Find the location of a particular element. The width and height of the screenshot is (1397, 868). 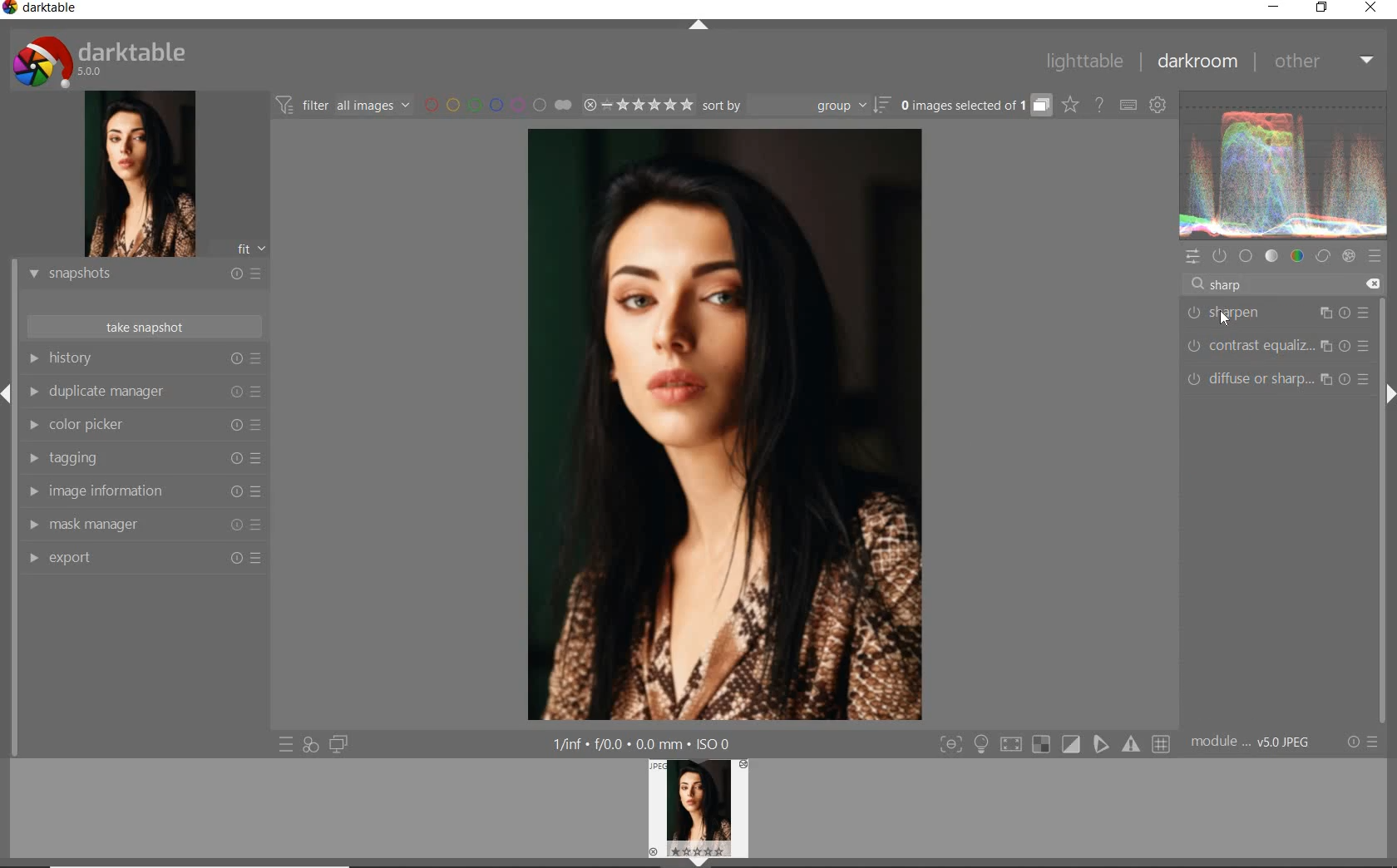

expand/collapse is located at coordinates (700, 26).